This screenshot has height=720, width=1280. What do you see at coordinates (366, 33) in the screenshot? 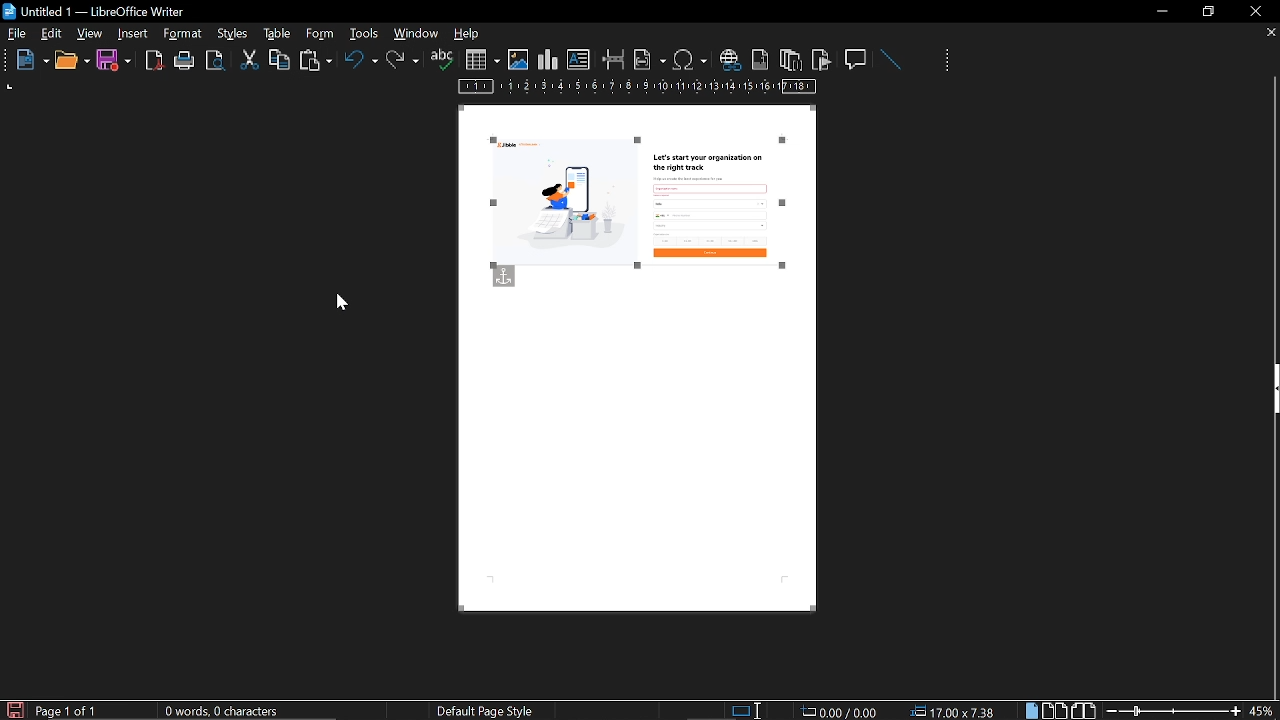
I see `form` at bounding box center [366, 33].